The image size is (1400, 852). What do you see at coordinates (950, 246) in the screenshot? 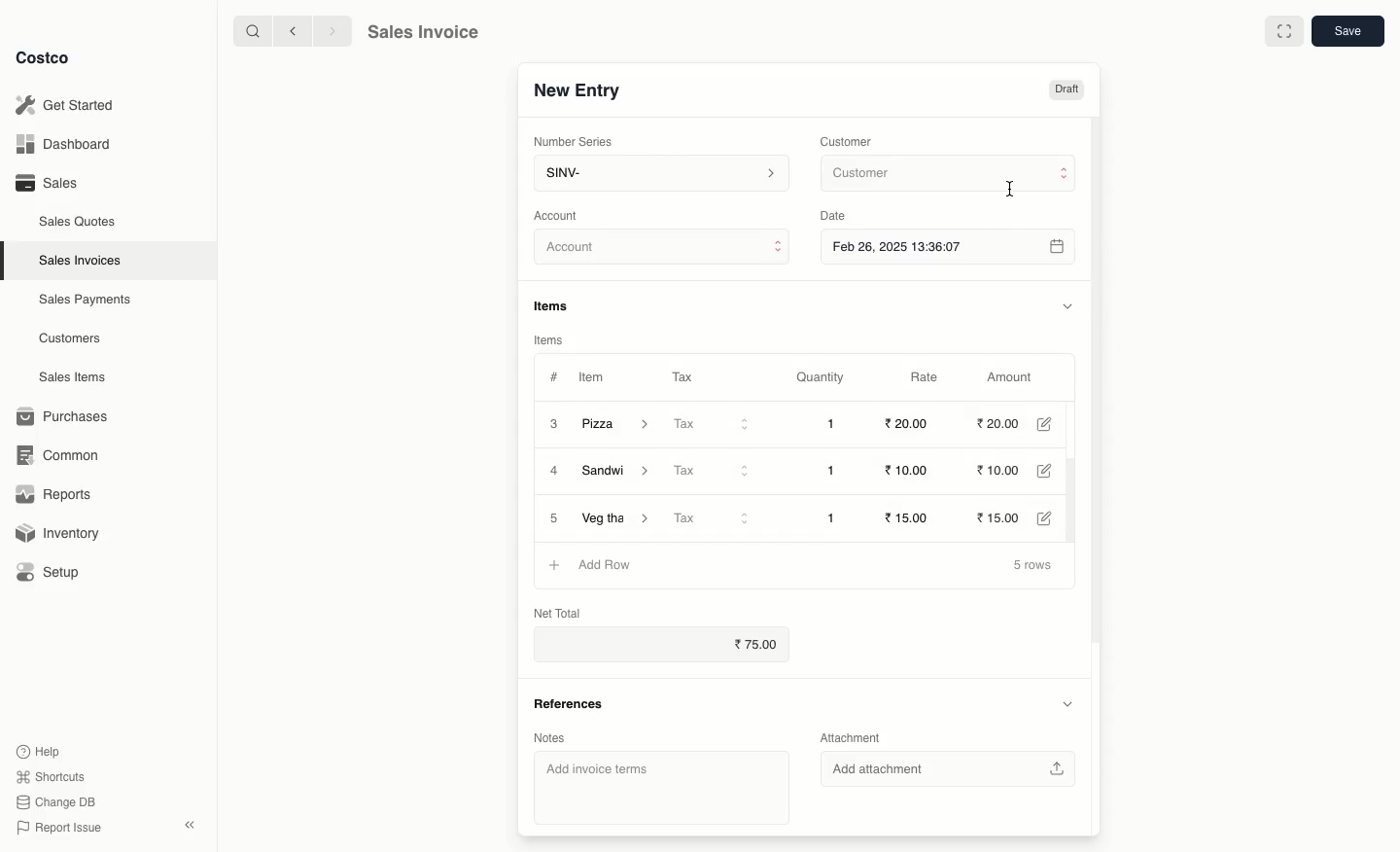
I see `Feb 26, 2025 13:36:07` at bounding box center [950, 246].